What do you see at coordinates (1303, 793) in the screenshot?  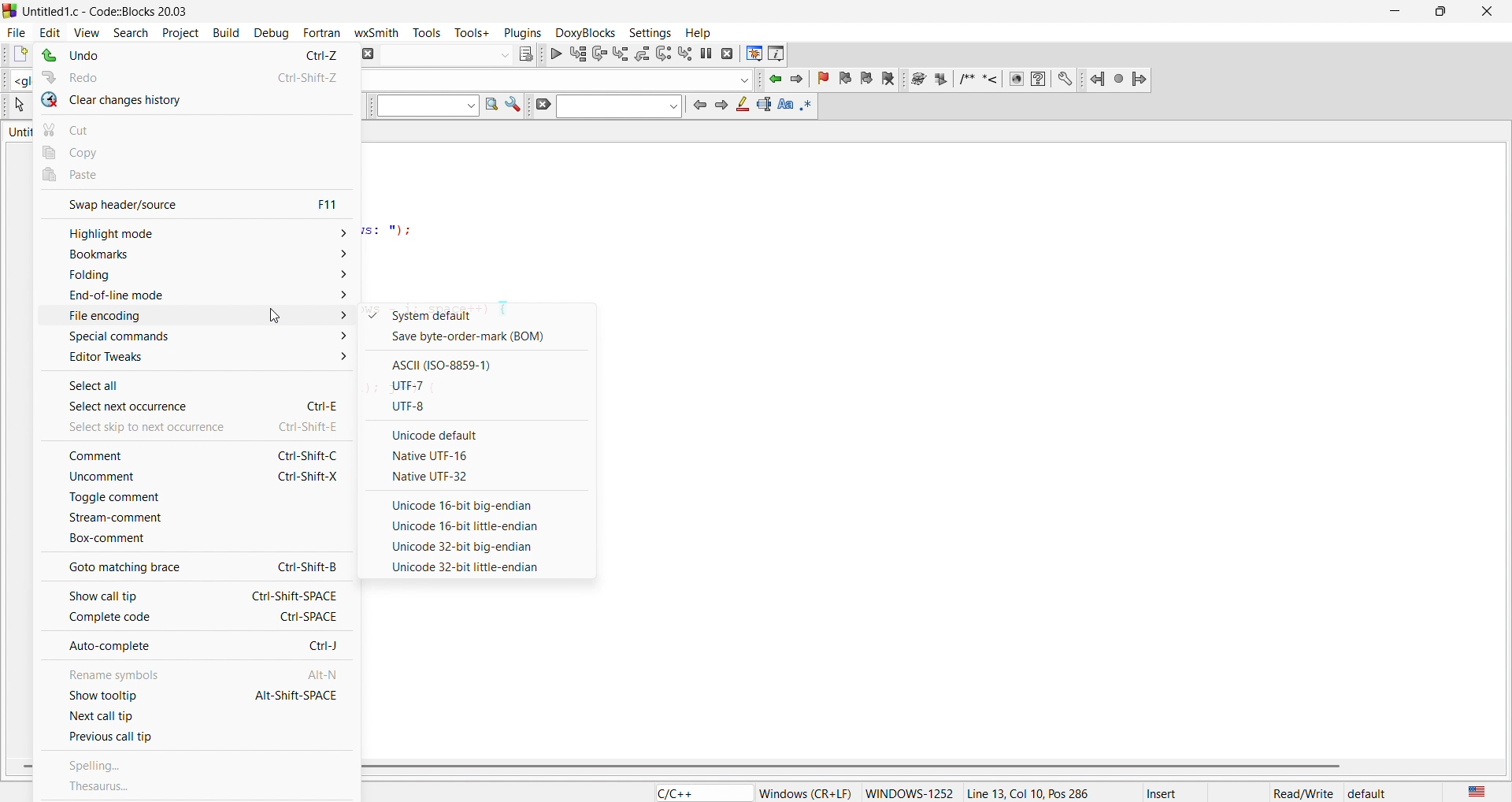 I see `Read/Write` at bounding box center [1303, 793].